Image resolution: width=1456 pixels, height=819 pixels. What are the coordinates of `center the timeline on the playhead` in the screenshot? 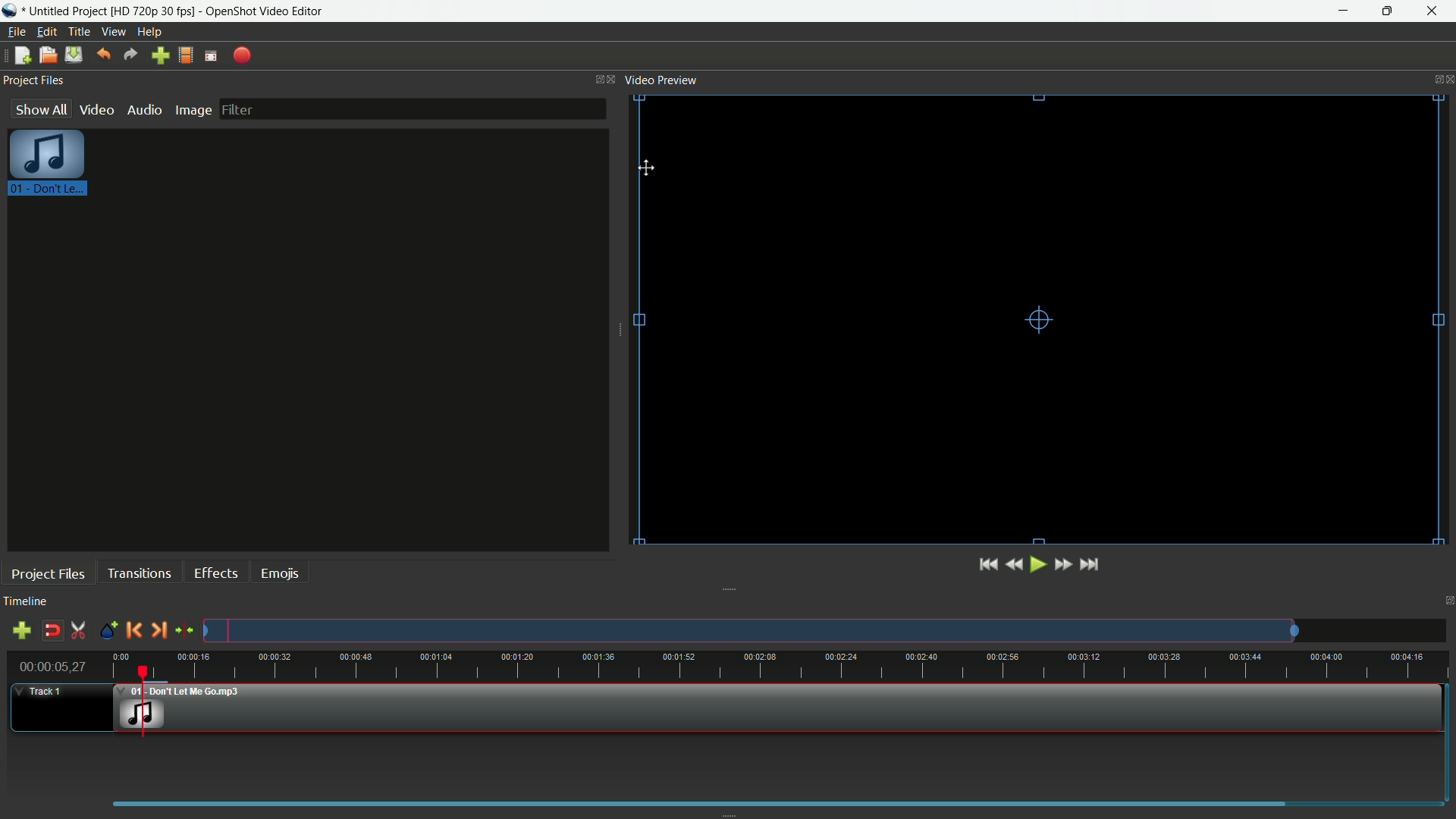 It's located at (184, 631).